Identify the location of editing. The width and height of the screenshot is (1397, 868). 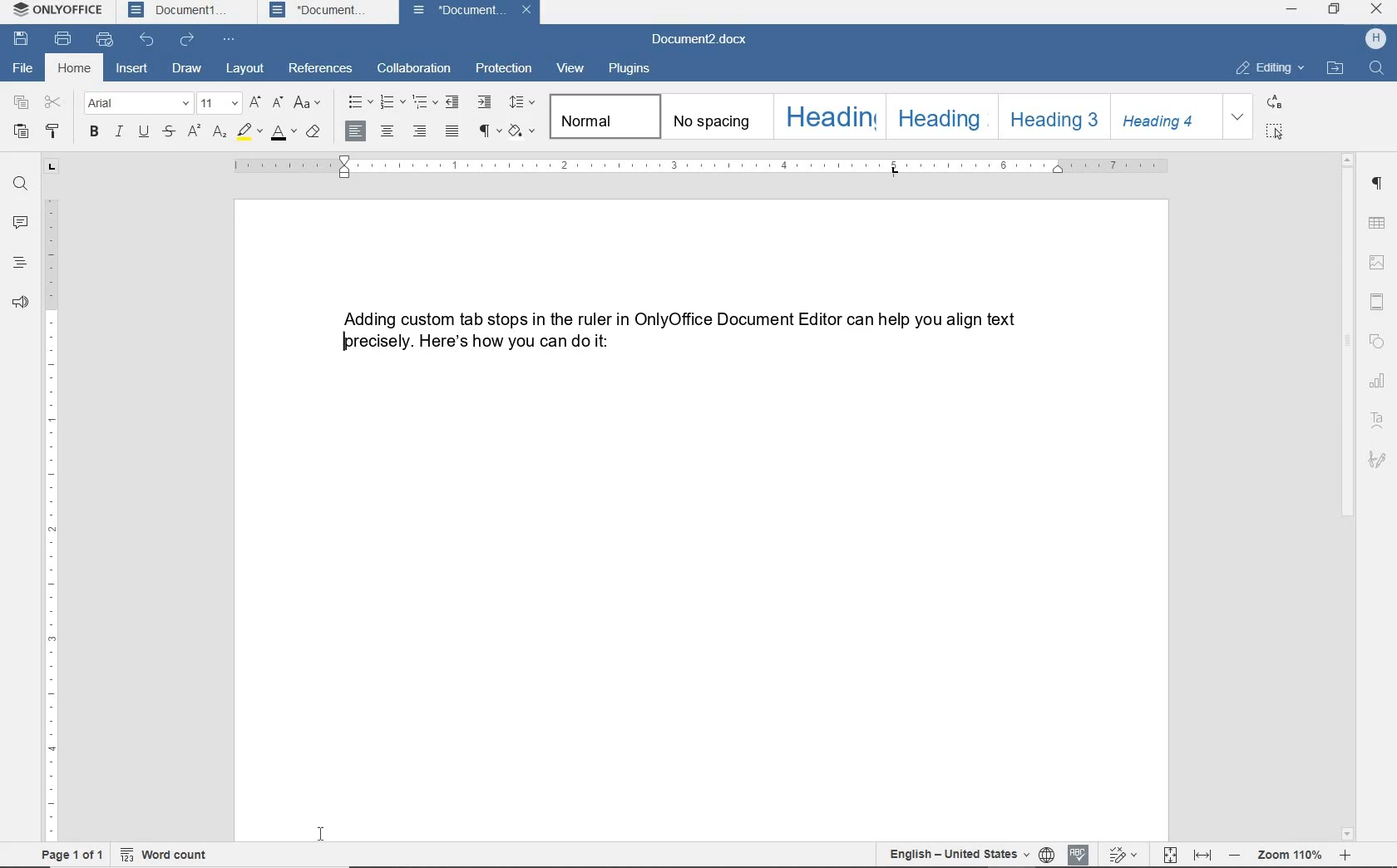
(1267, 69).